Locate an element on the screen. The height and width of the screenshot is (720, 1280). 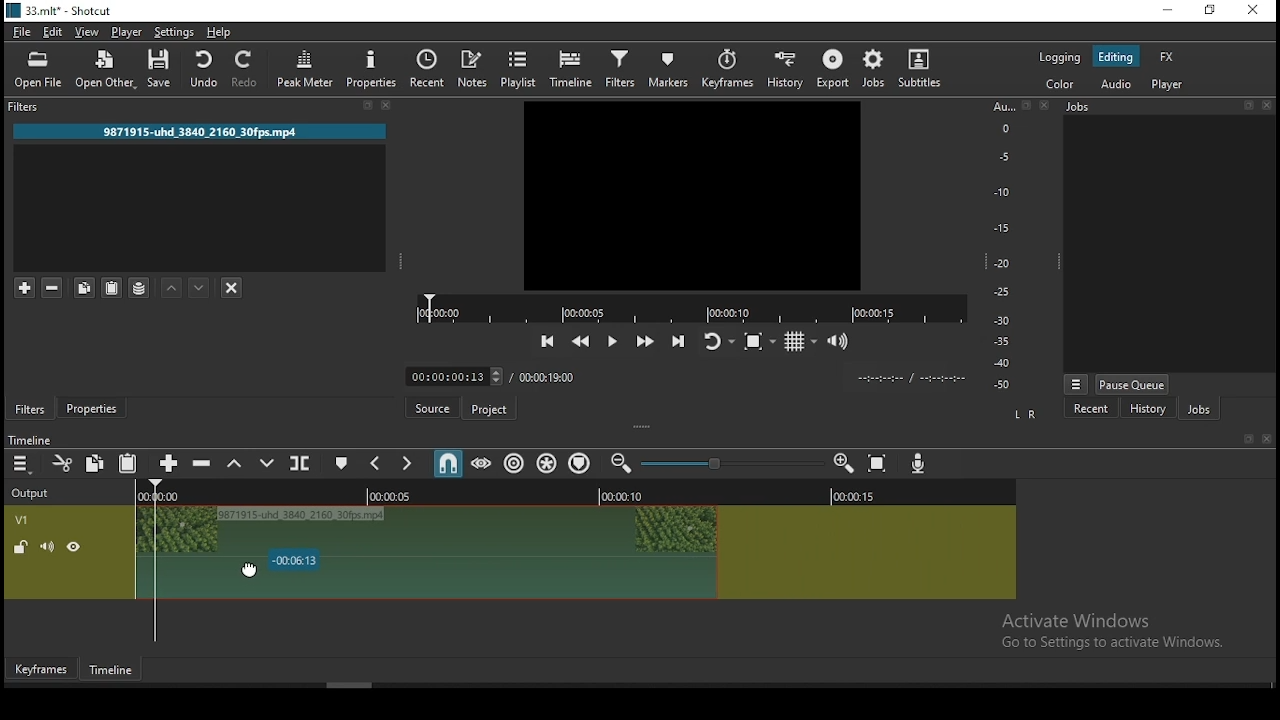
player is located at coordinates (1171, 86).